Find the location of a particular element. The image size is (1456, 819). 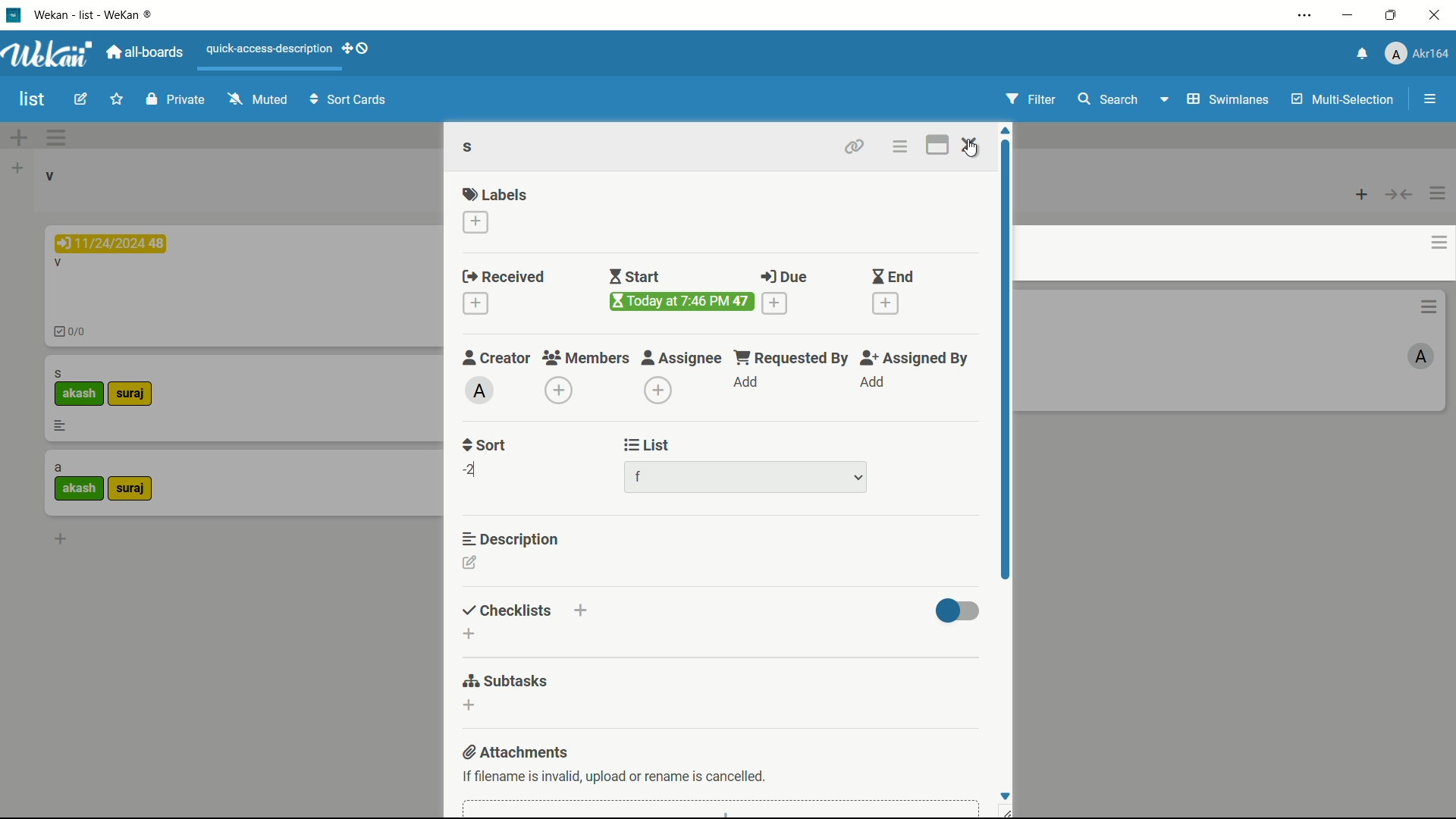

cursor is located at coordinates (972, 149).